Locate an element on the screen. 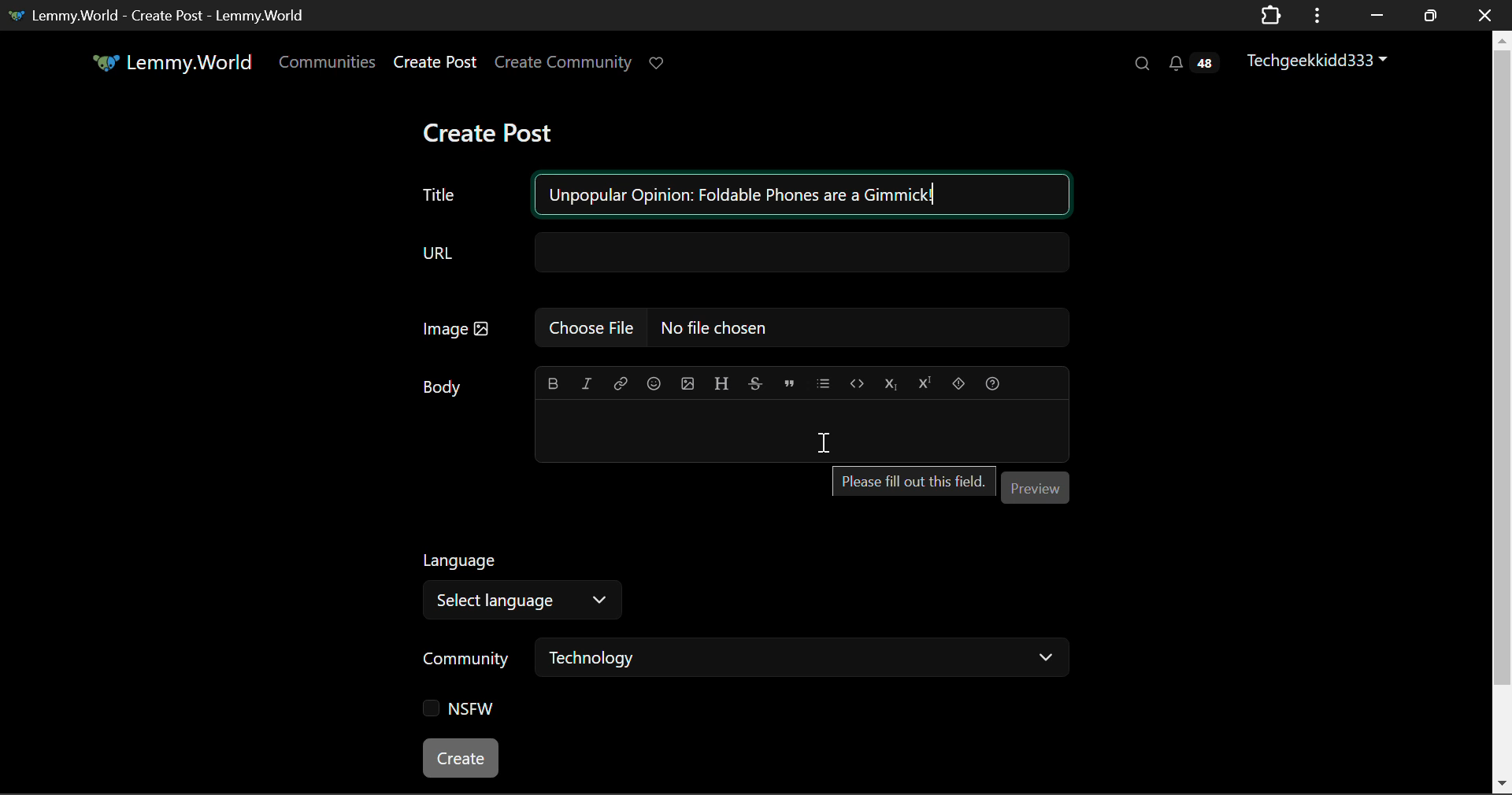 The width and height of the screenshot is (1512, 795). link is located at coordinates (621, 382).